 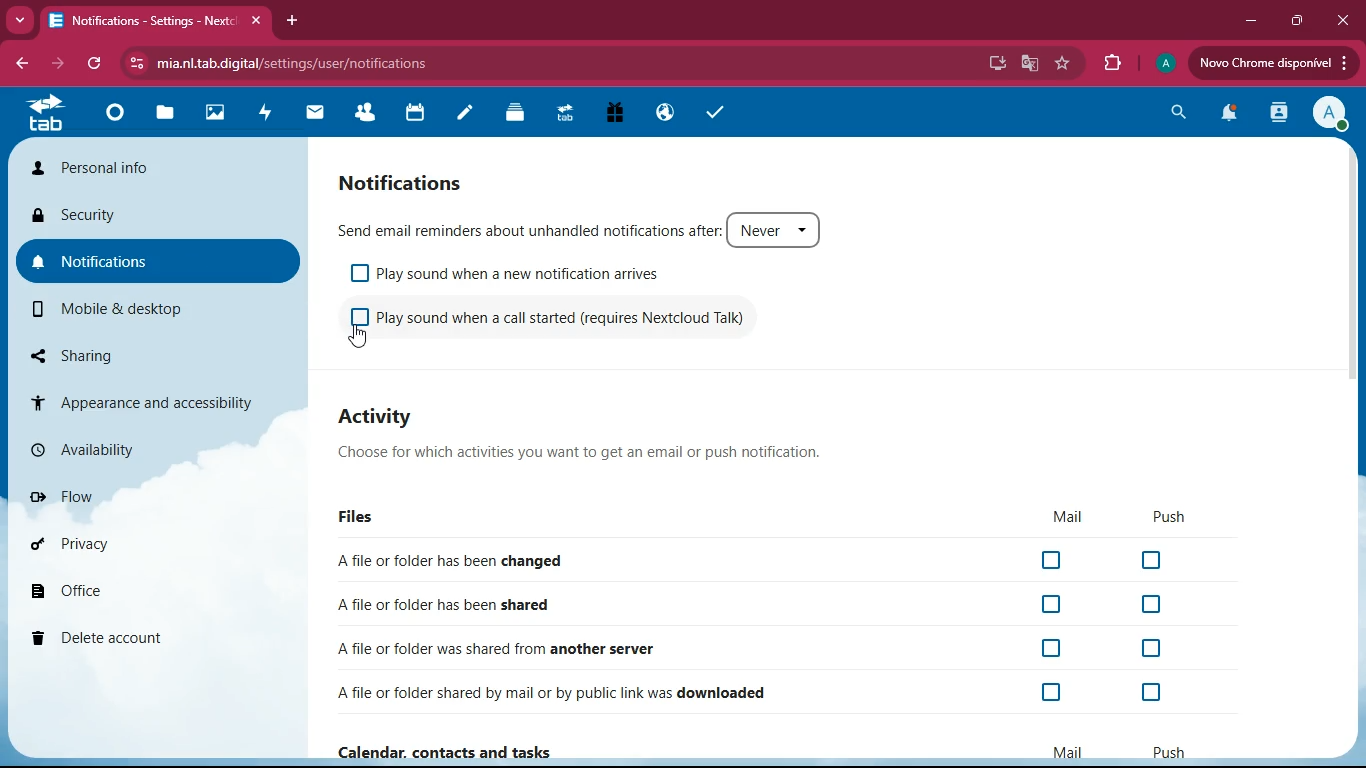 I want to click on availability, so click(x=83, y=449).